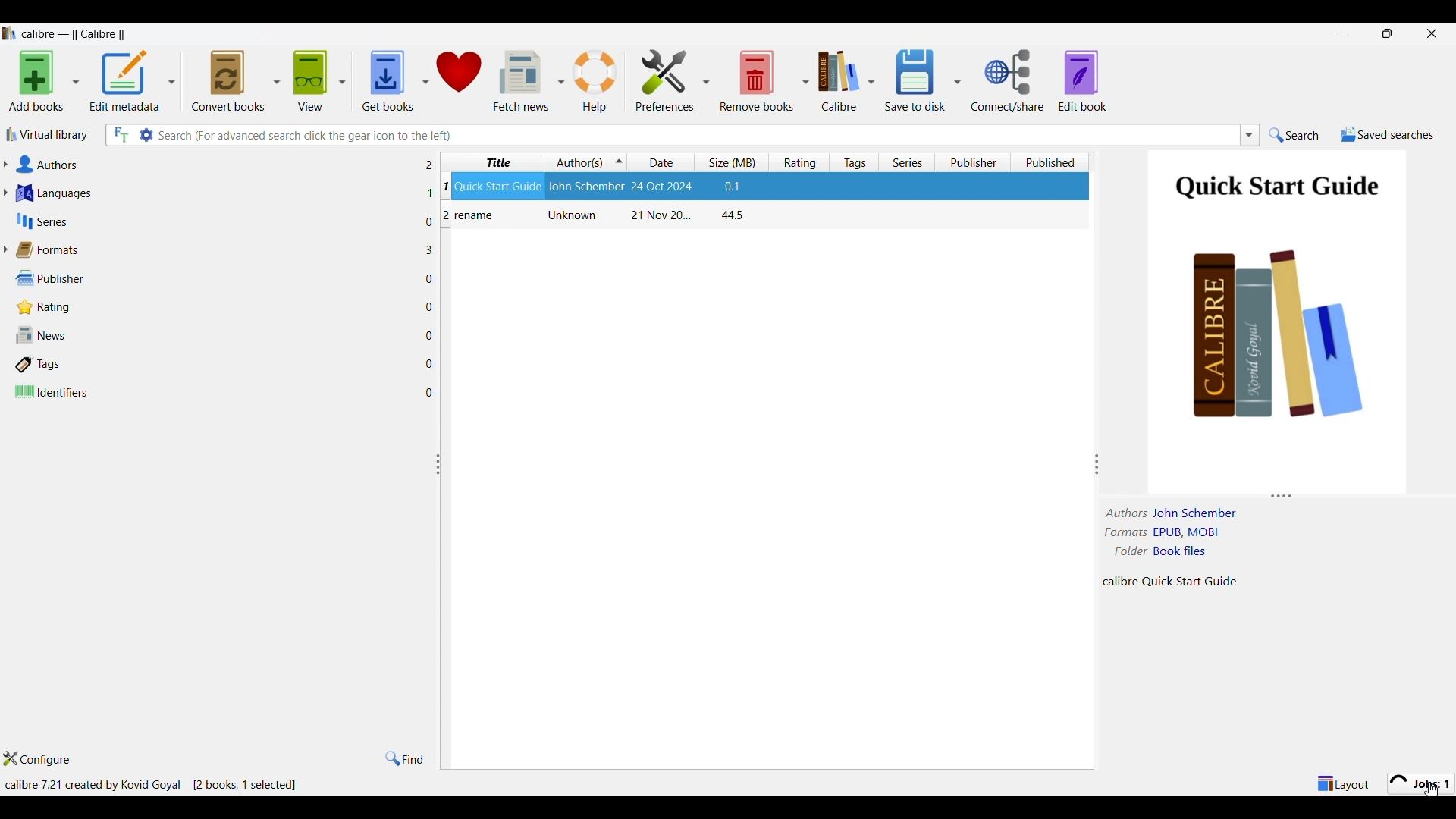 The image size is (1456, 819). What do you see at coordinates (663, 162) in the screenshot?
I see `Date column` at bounding box center [663, 162].